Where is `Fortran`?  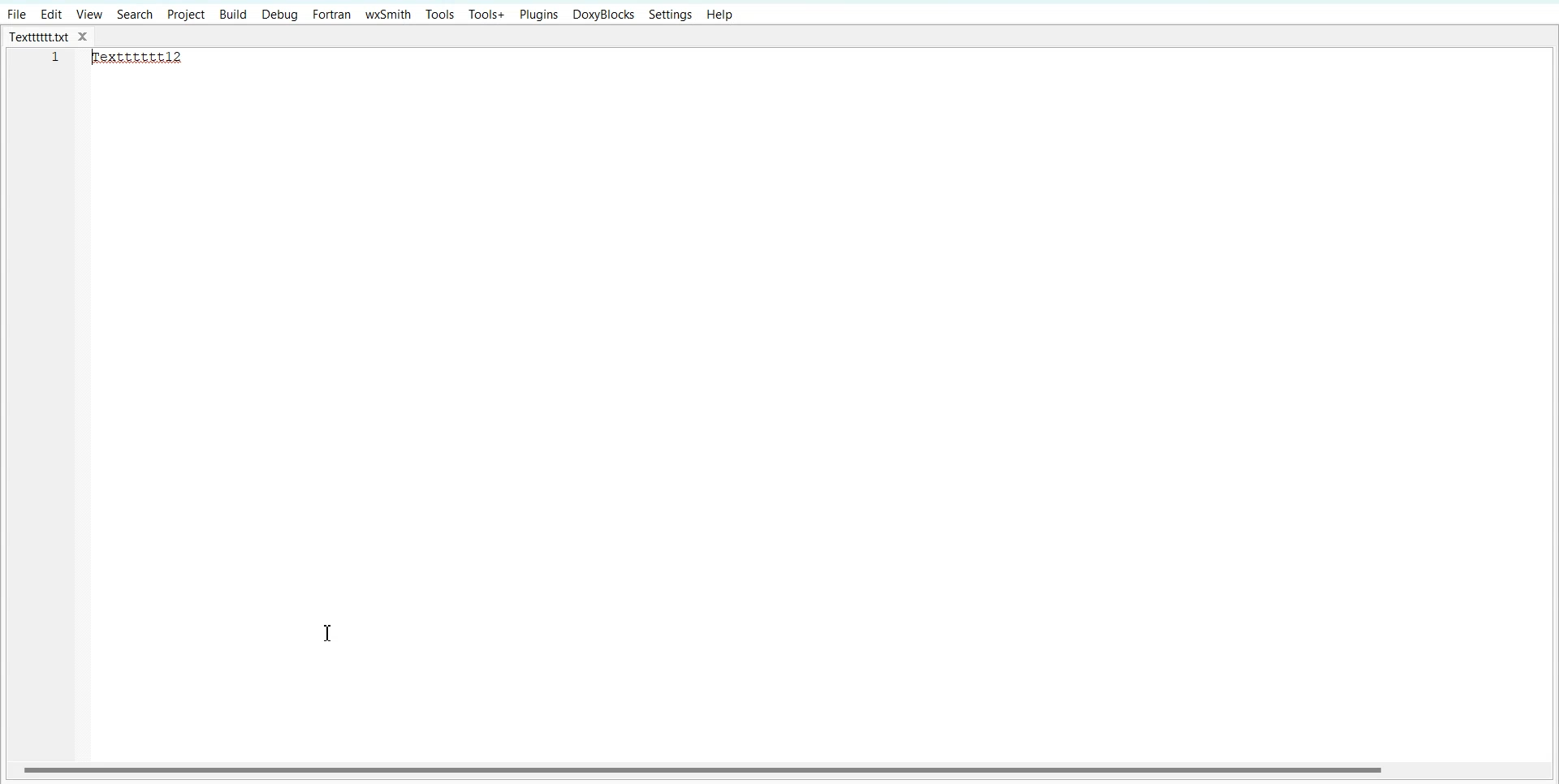 Fortran is located at coordinates (331, 15).